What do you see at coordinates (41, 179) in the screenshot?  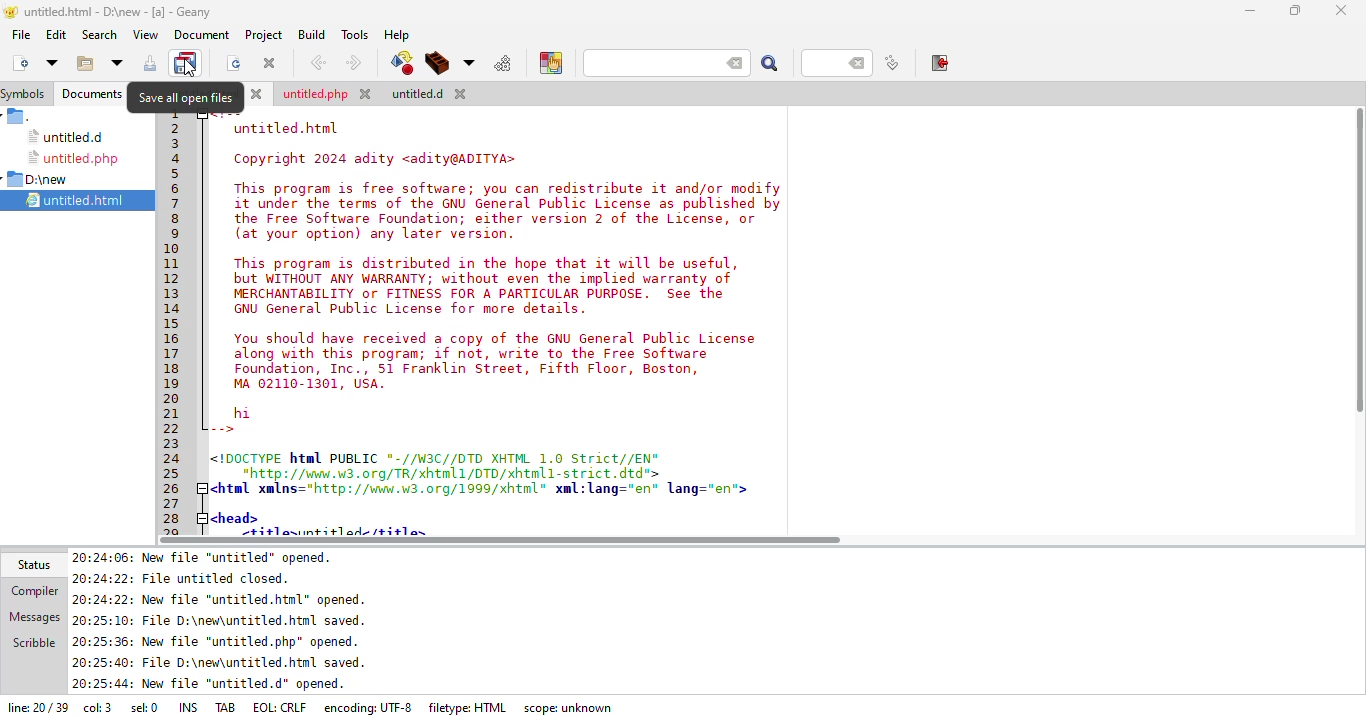 I see `d` at bounding box center [41, 179].